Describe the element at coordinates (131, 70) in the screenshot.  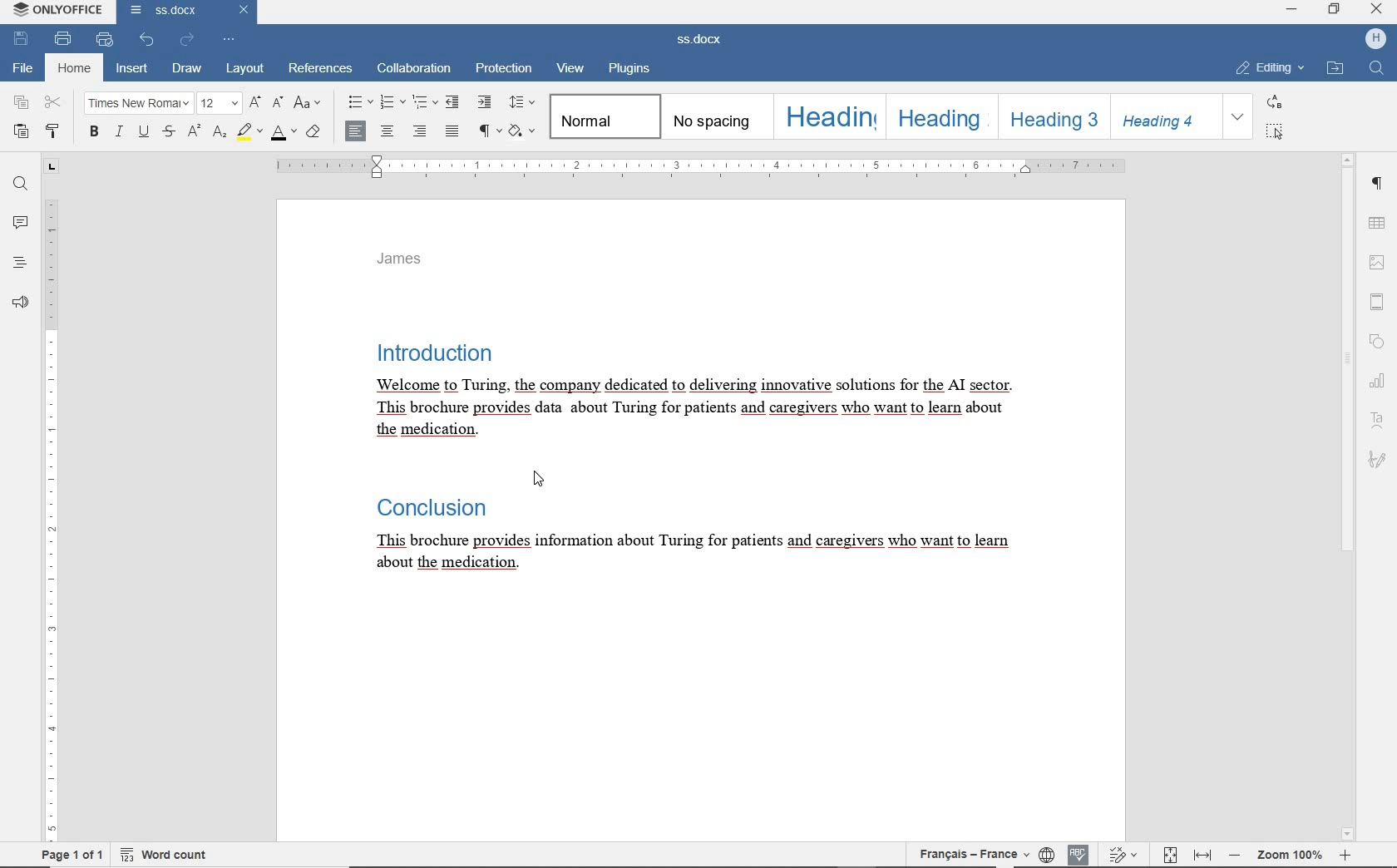
I see `INSERT` at that location.